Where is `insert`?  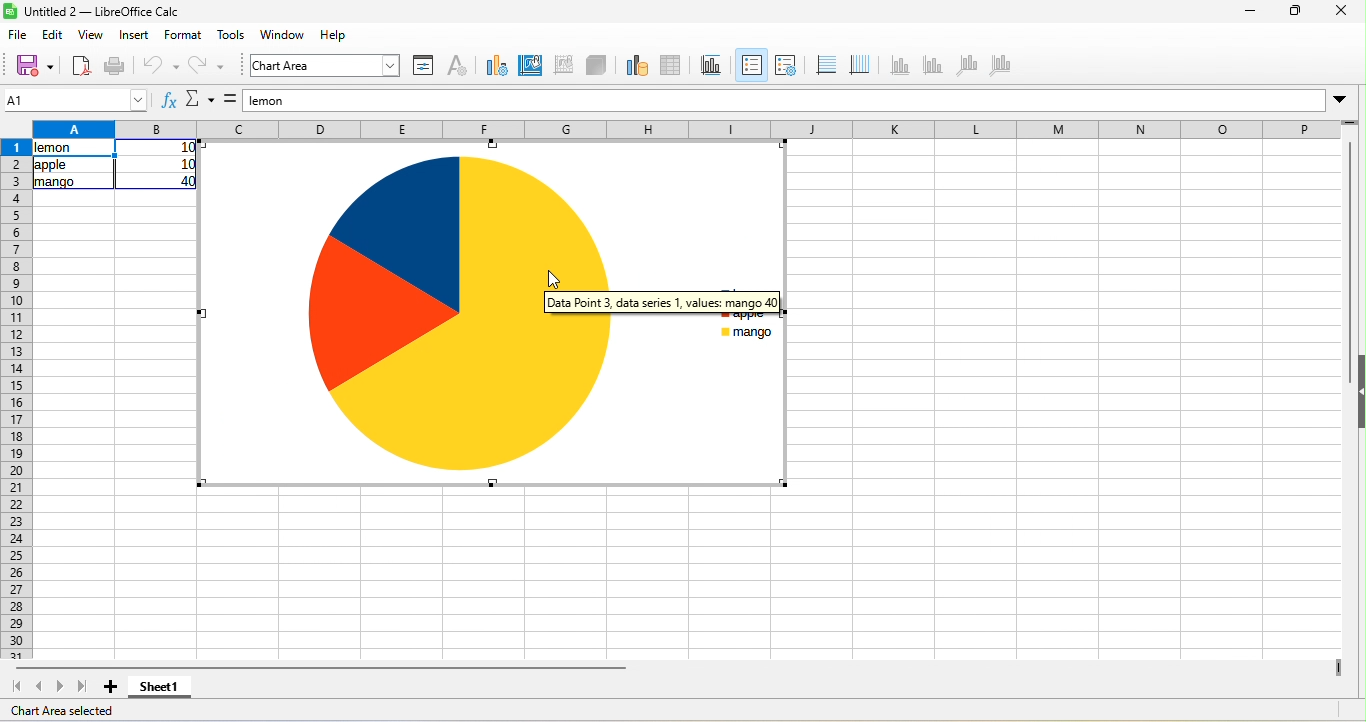
insert is located at coordinates (135, 36).